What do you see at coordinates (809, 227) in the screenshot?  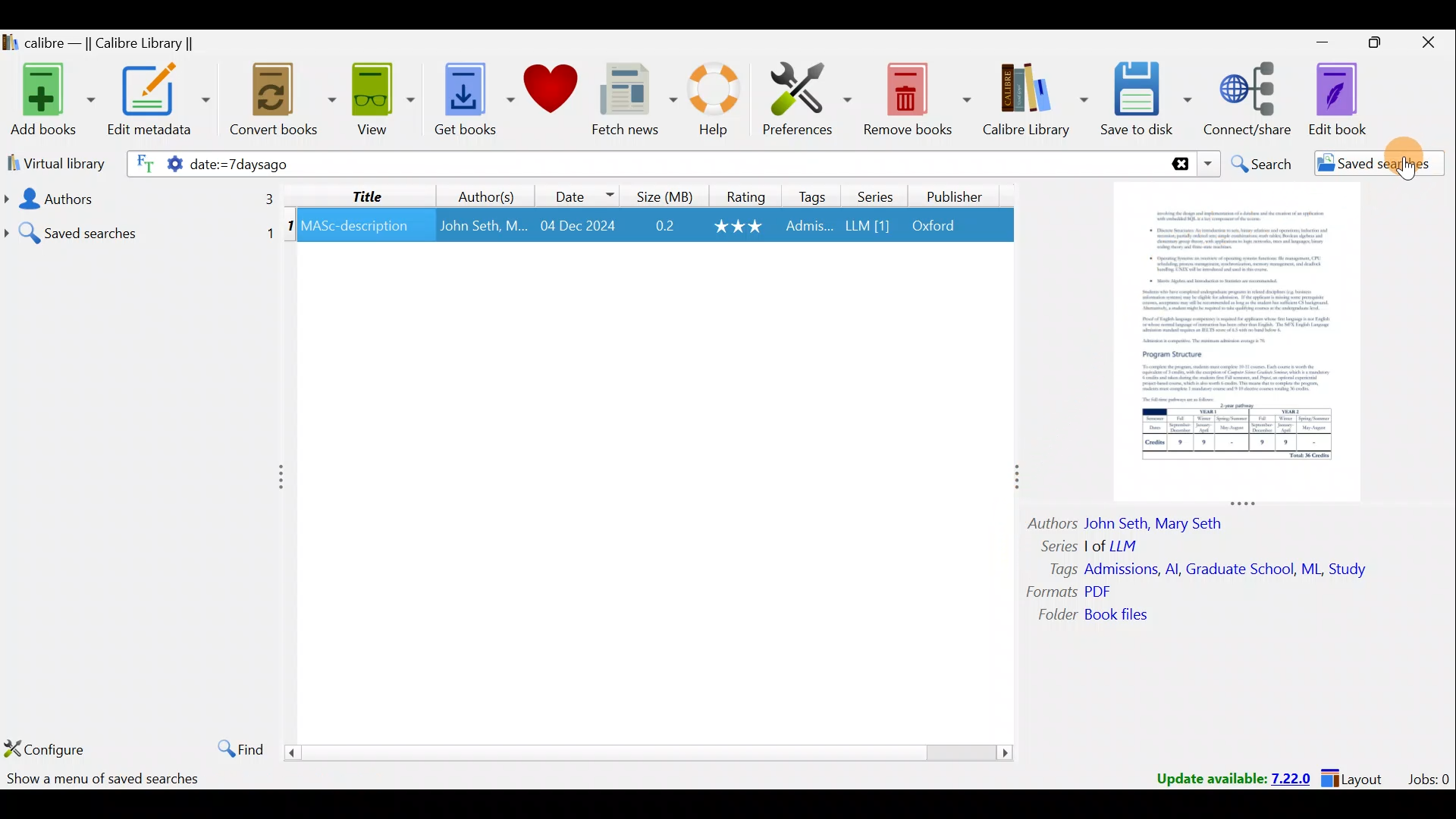 I see `Admis...` at bounding box center [809, 227].